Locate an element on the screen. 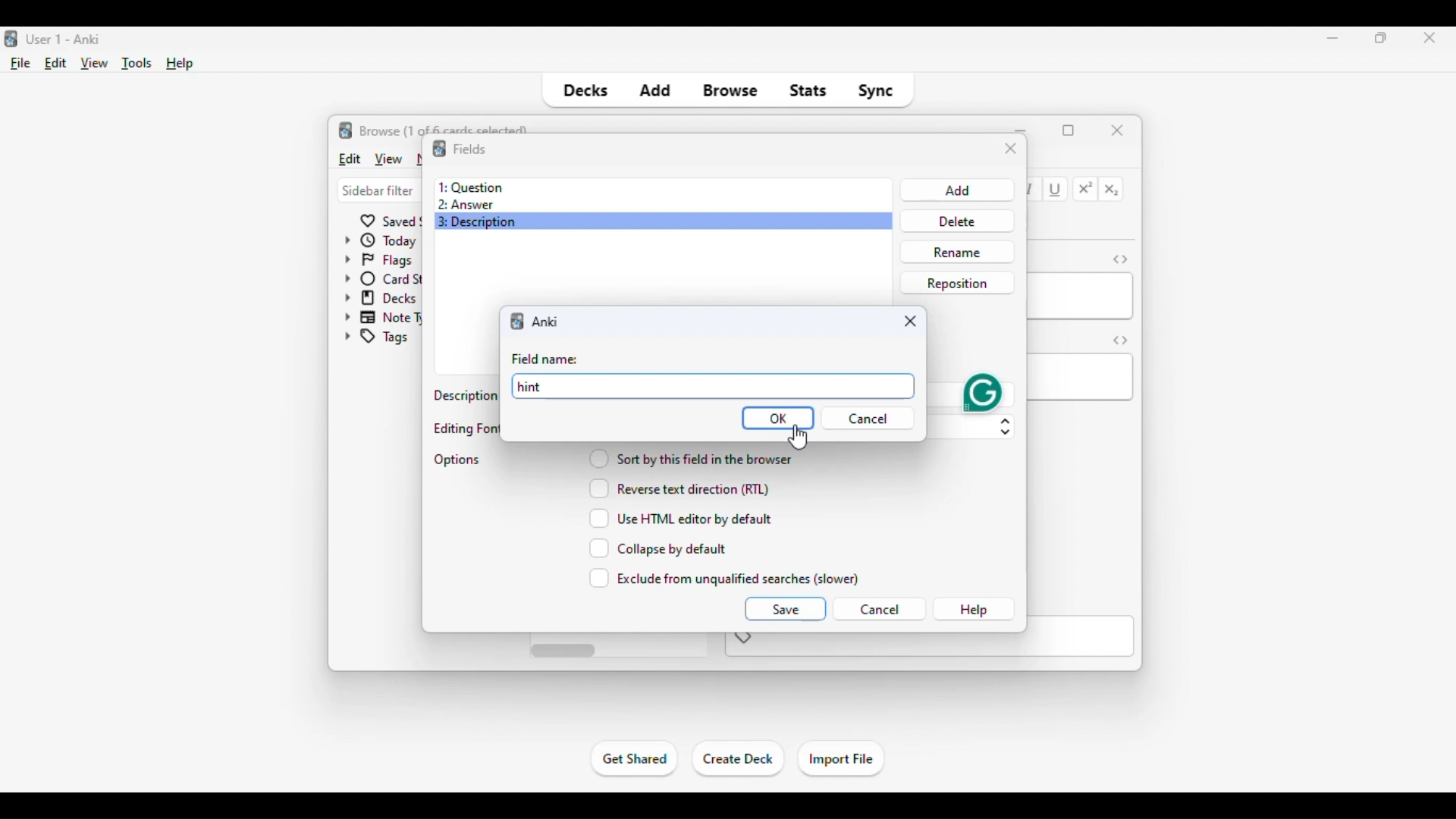 The width and height of the screenshot is (1456, 819). sort by this field in the browser is located at coordinates (690, 457).